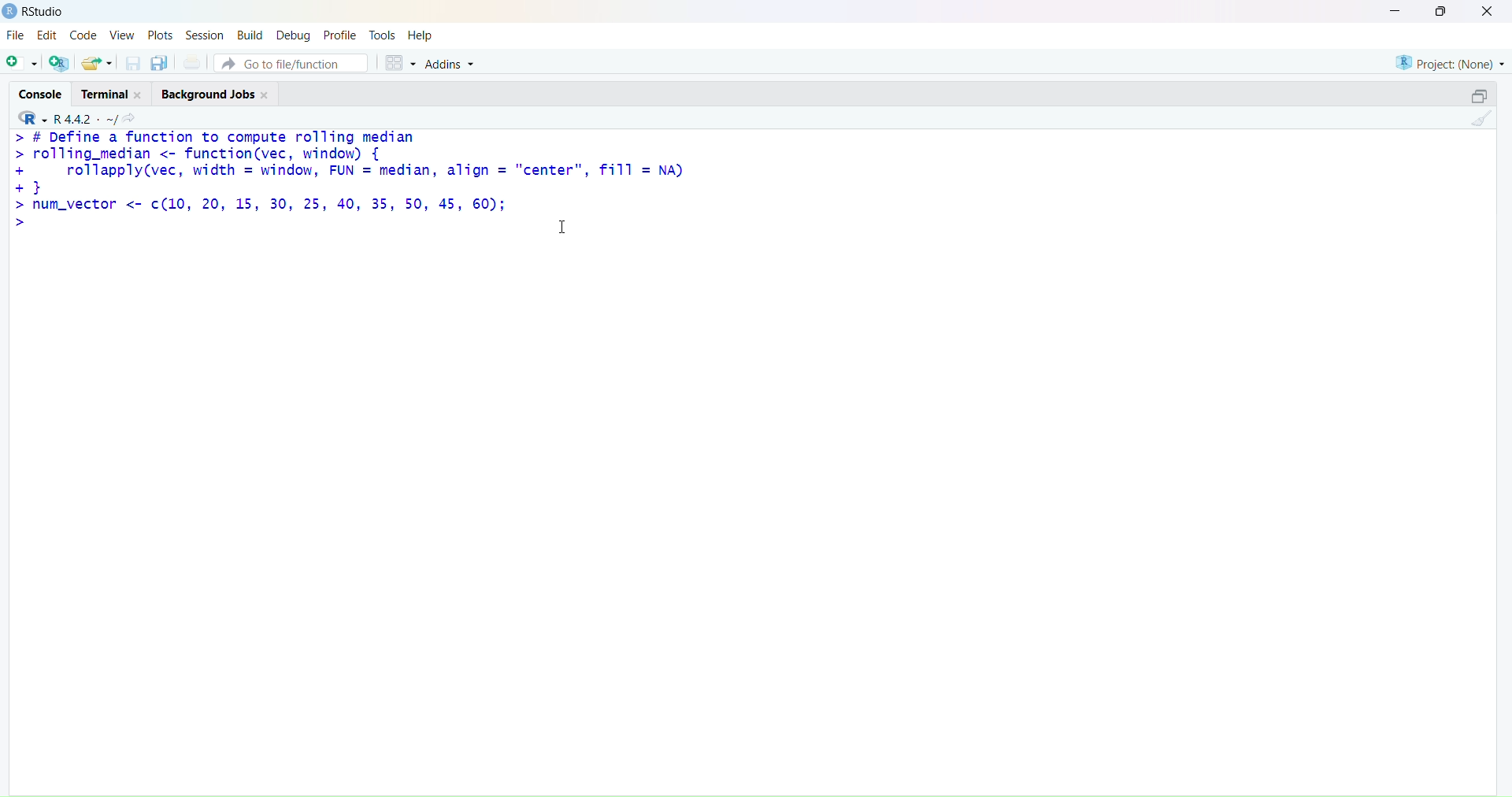  What do you see at coordinates (85, 119) in the screenshot?
I see `R 4.4.2 ~/` at bounding box center [85, 119].